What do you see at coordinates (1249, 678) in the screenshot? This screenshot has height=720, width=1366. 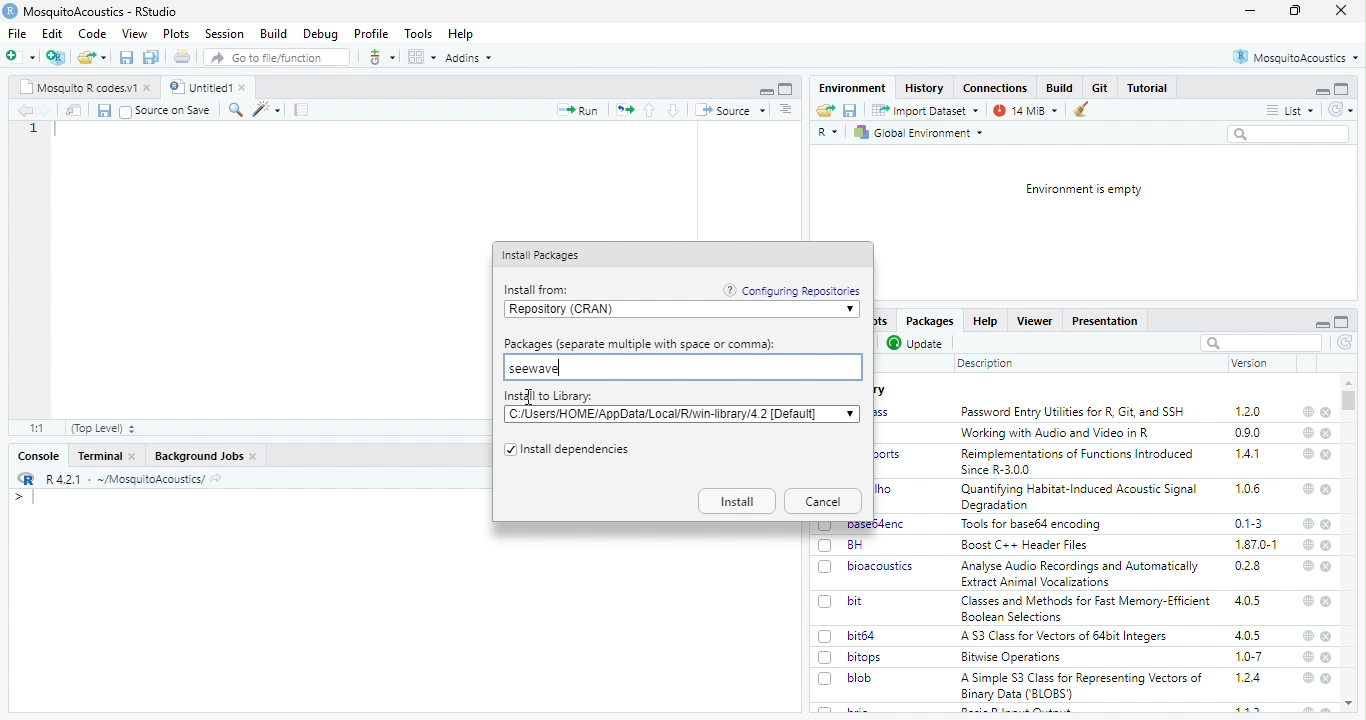 I see `124` at bounding box center [1249, 678].